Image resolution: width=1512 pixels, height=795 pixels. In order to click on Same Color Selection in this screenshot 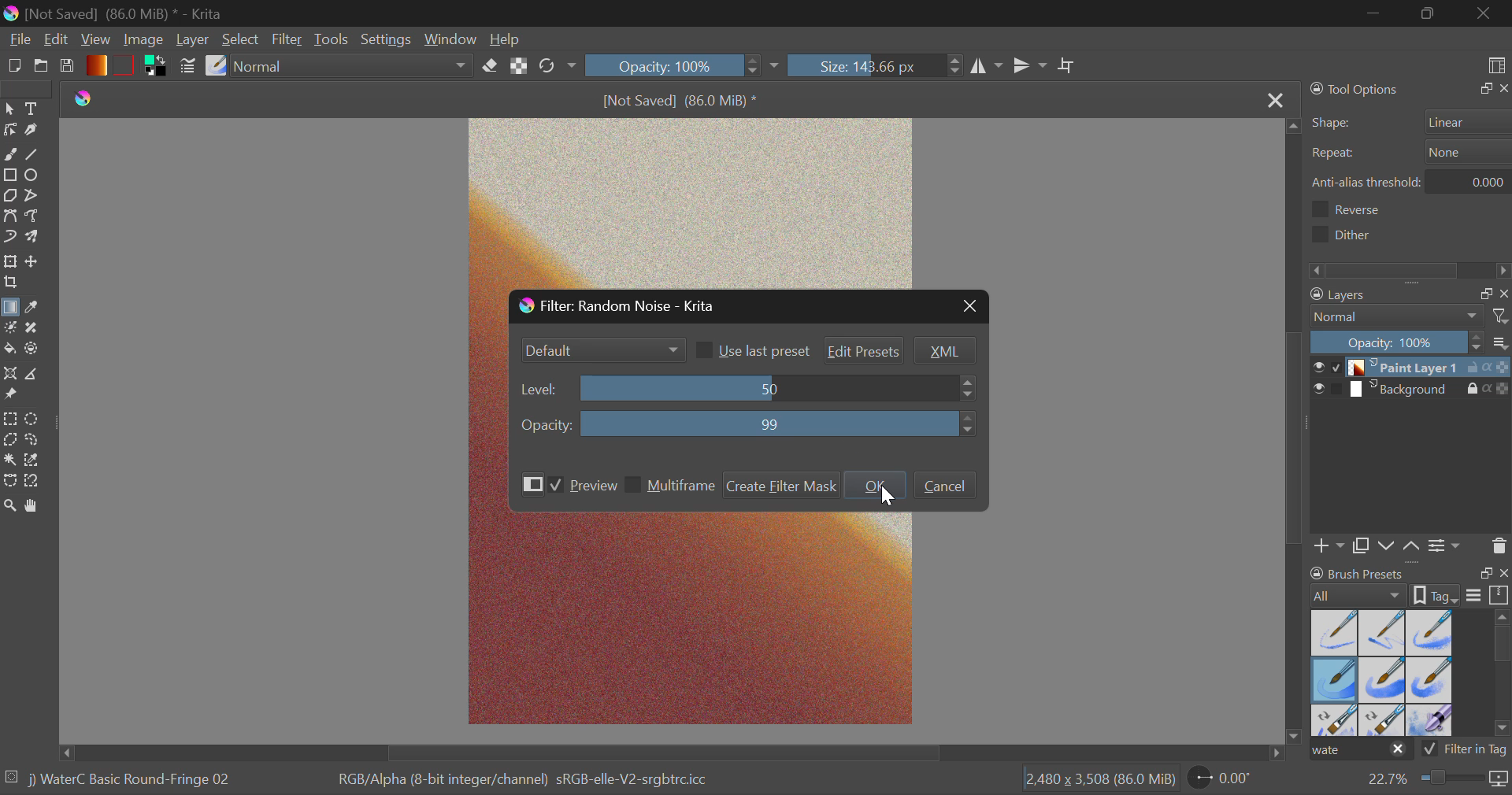, I will do `click(36, 462)`.